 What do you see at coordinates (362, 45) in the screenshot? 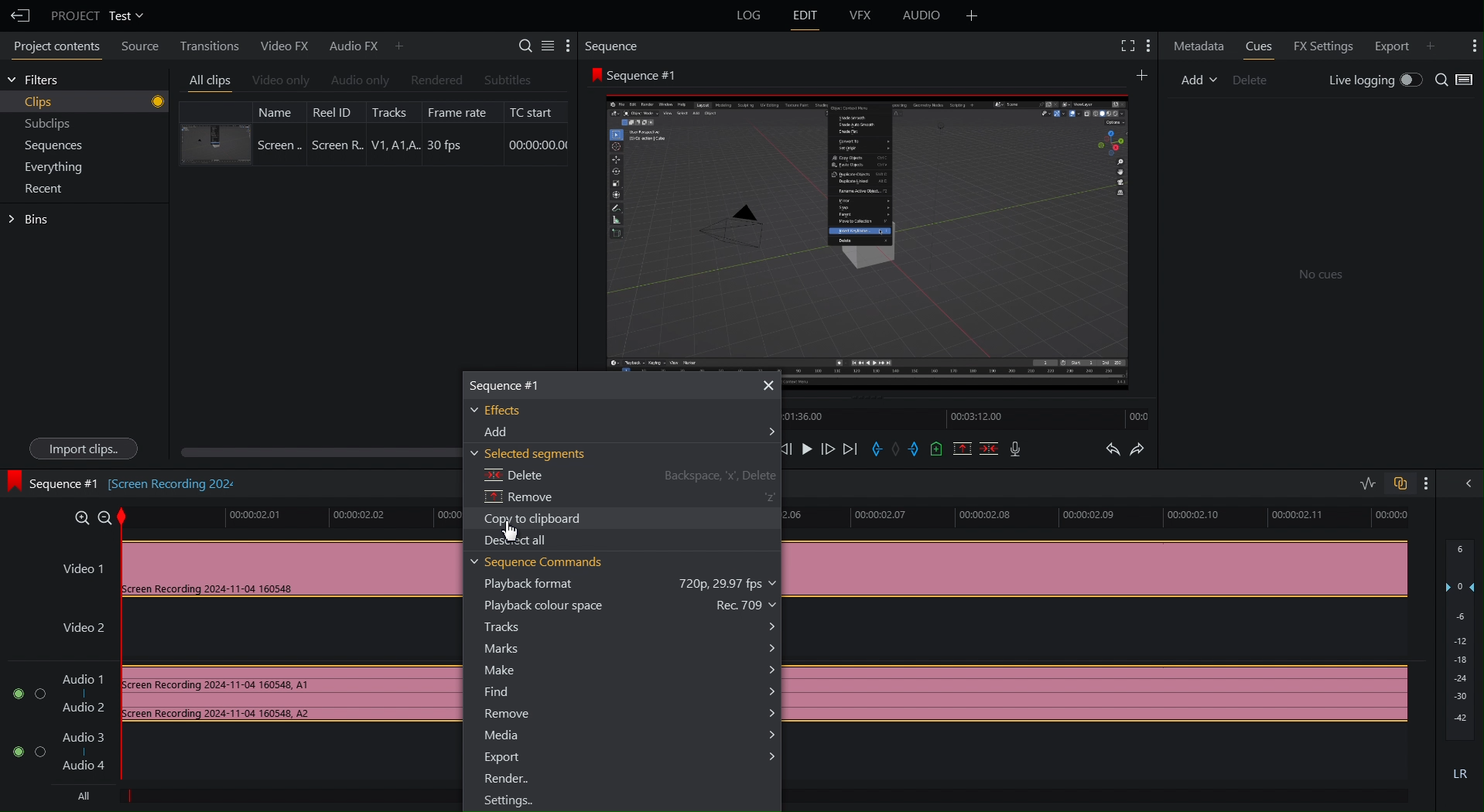
I see `Audio FX` at bounding box center [362, 45].